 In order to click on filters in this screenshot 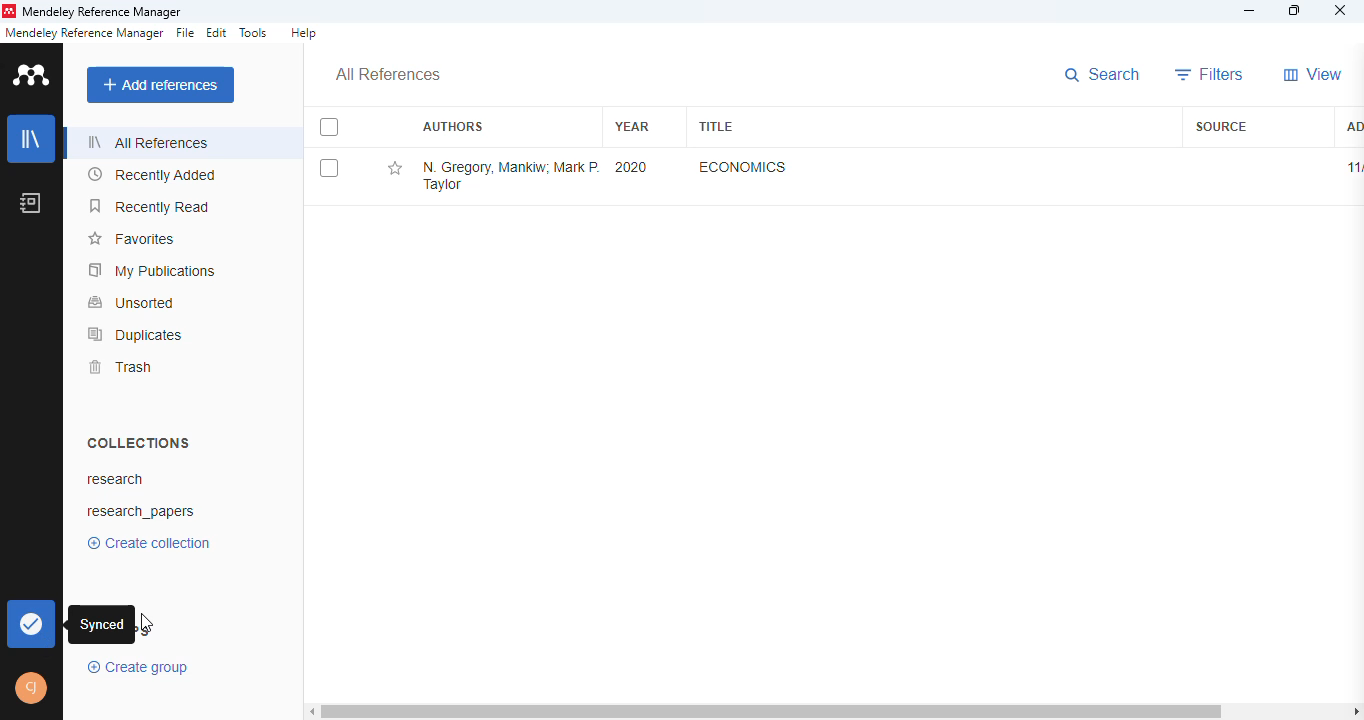, I will do `click(1210, 74)`.